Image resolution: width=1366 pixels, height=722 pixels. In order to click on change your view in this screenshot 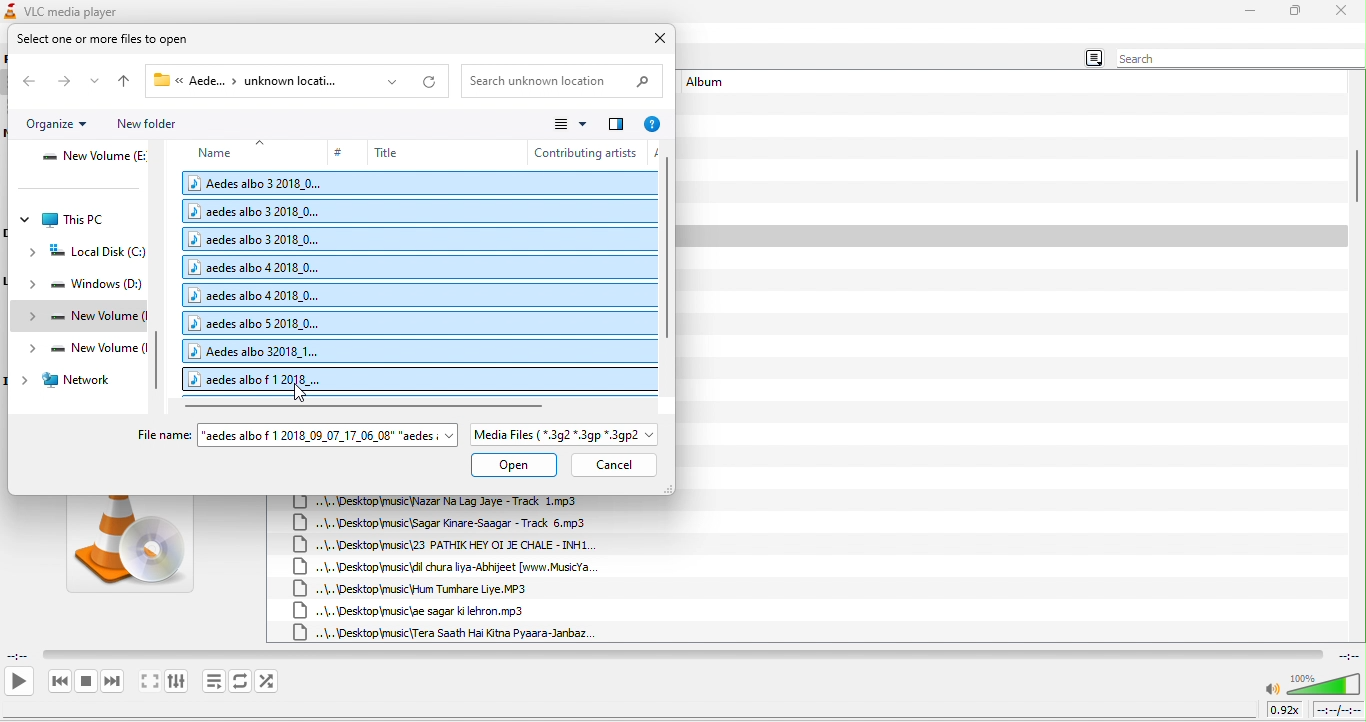, I will do `click(616, 122)`.